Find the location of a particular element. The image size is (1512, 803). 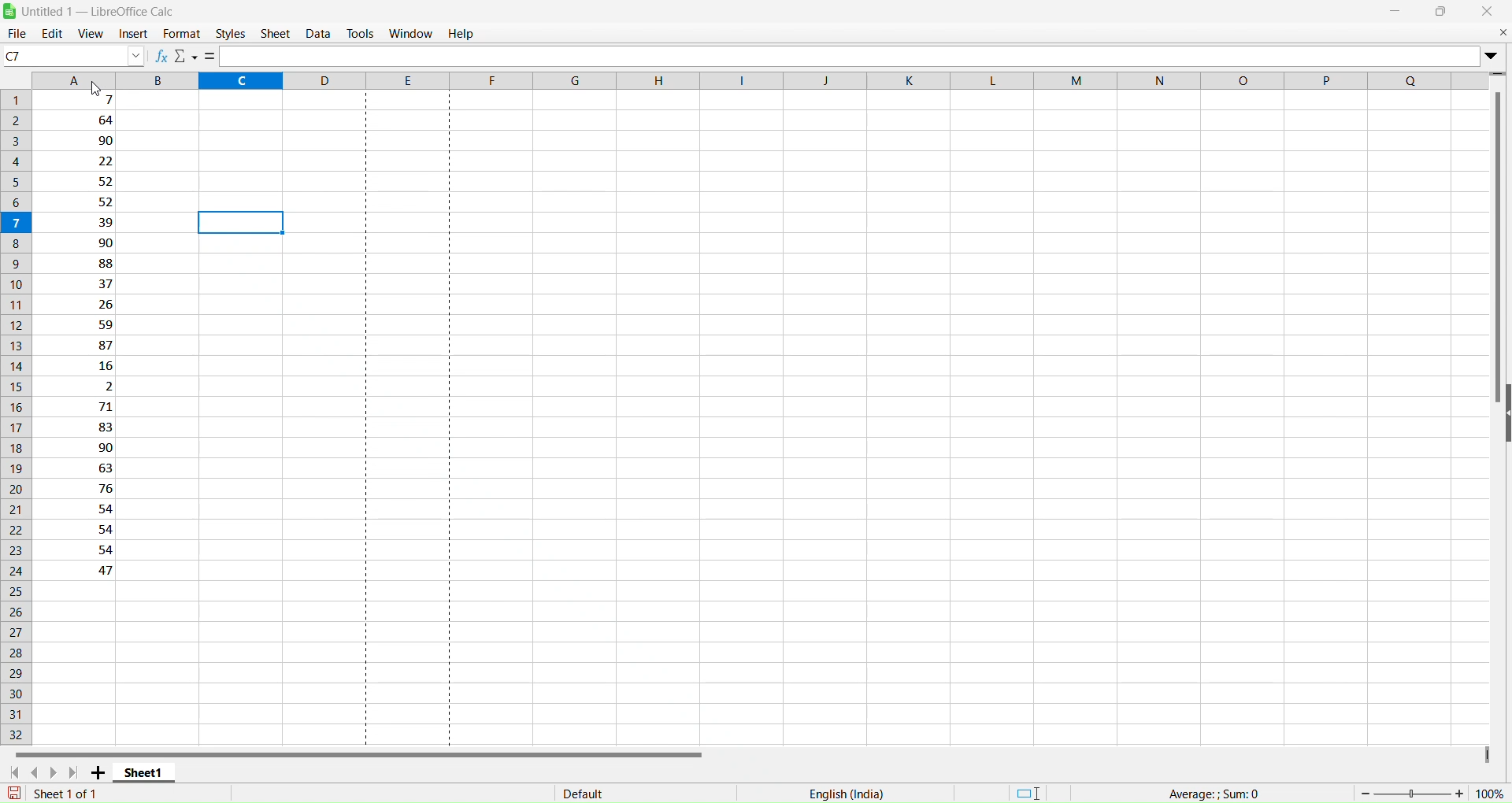

Hide is located at coordinates (1506, 411).